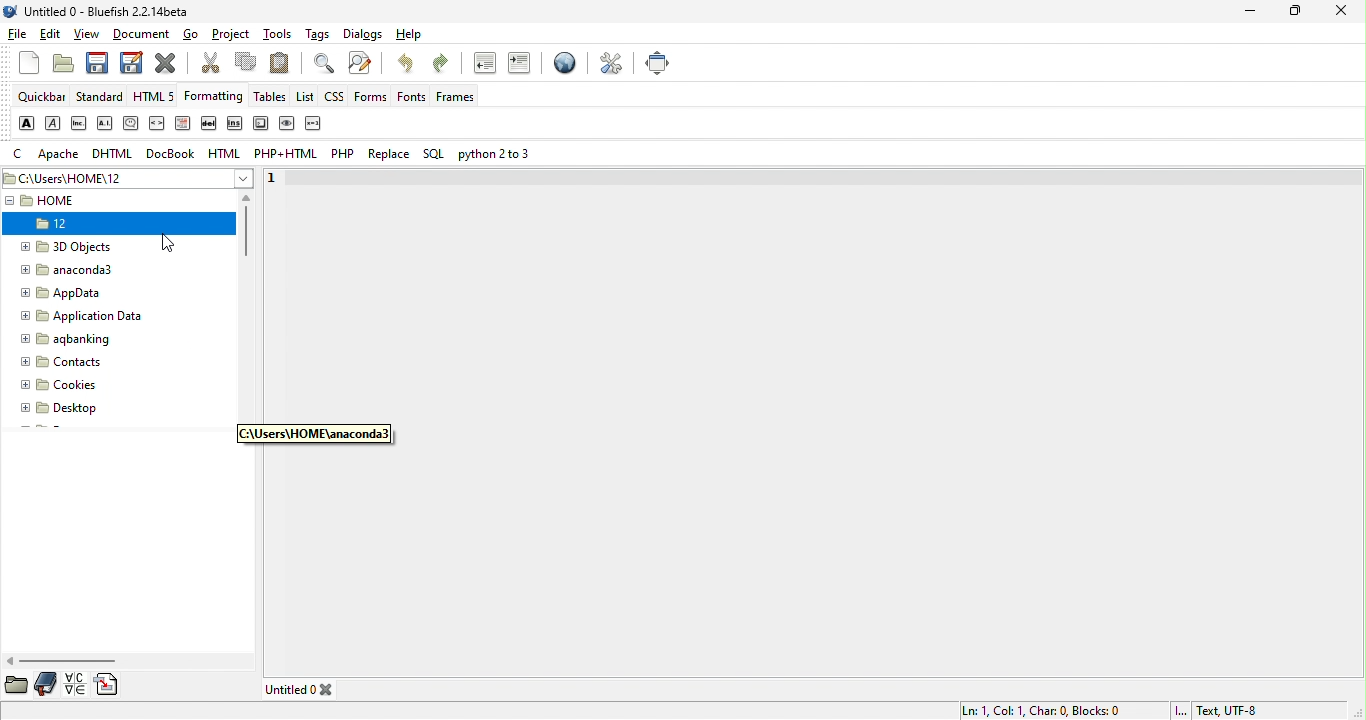  What do you see at coordinates (1290, 14) in the screenshot?
I see `maximize` at bounding box center [1290, 14].